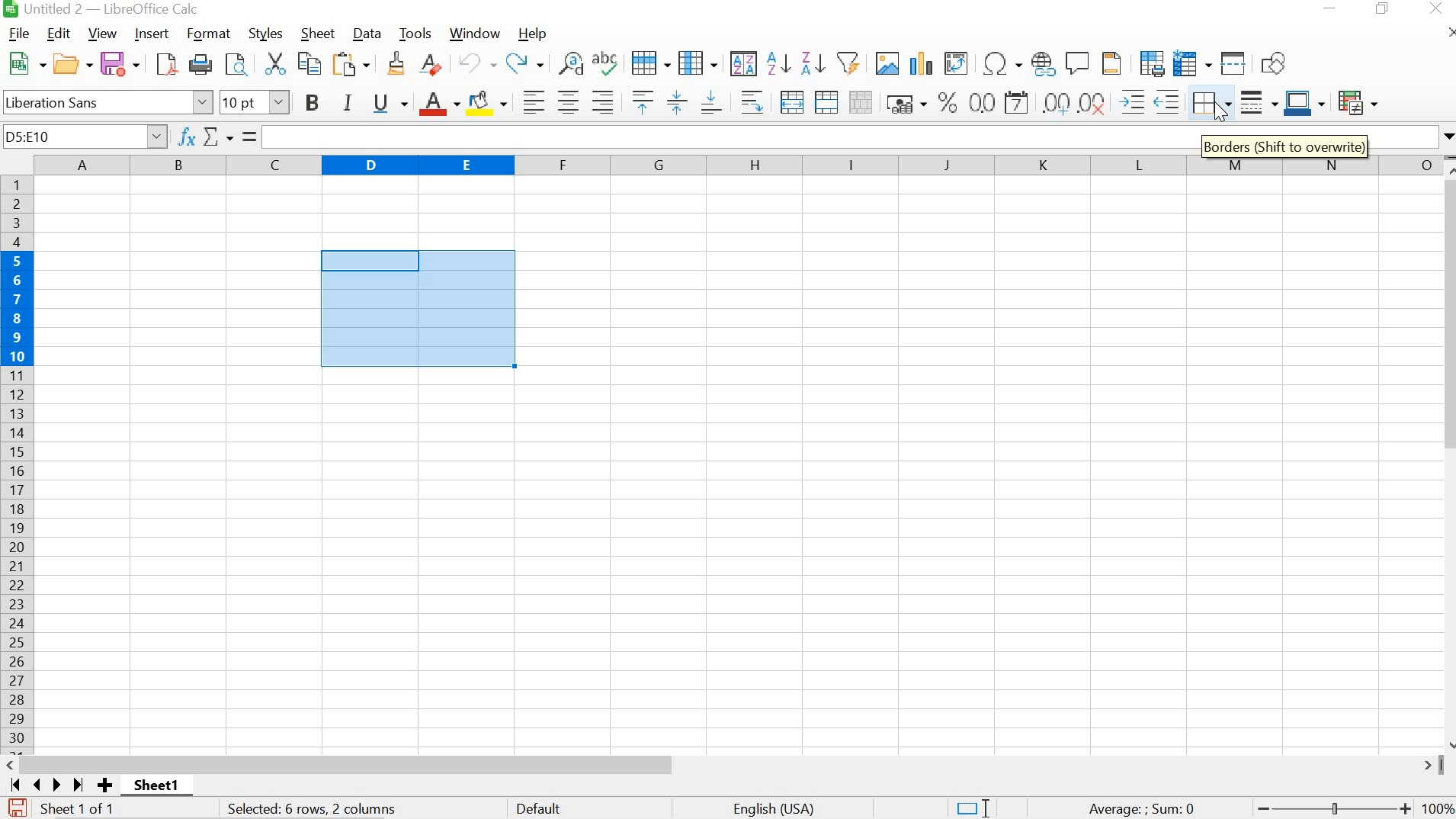  Describe the element at coordinates (1234, 64) in the screenshot. I see `split window` at that location.